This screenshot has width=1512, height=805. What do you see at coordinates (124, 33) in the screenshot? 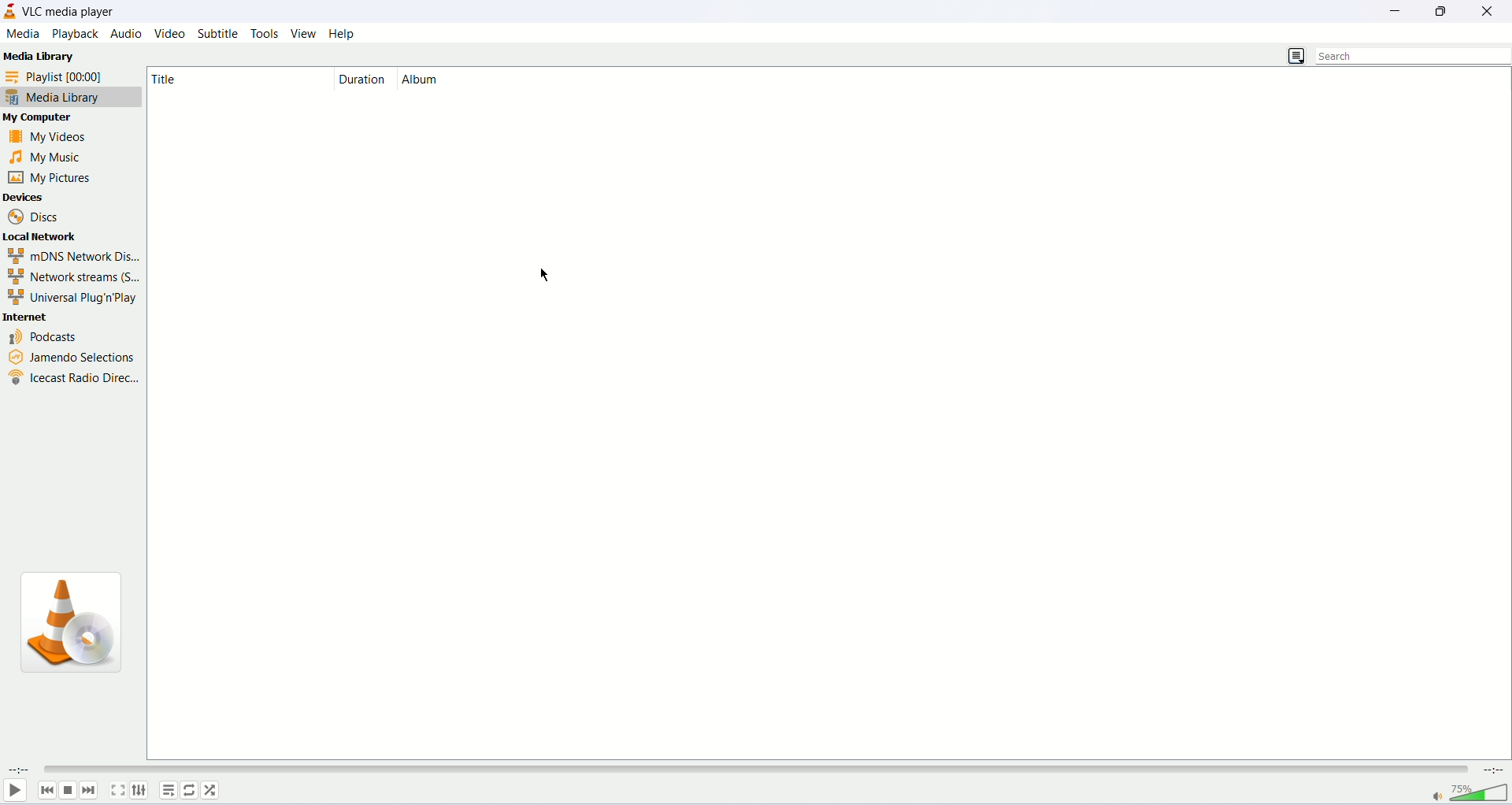
I see `audio` at bounding box center [124, 33].